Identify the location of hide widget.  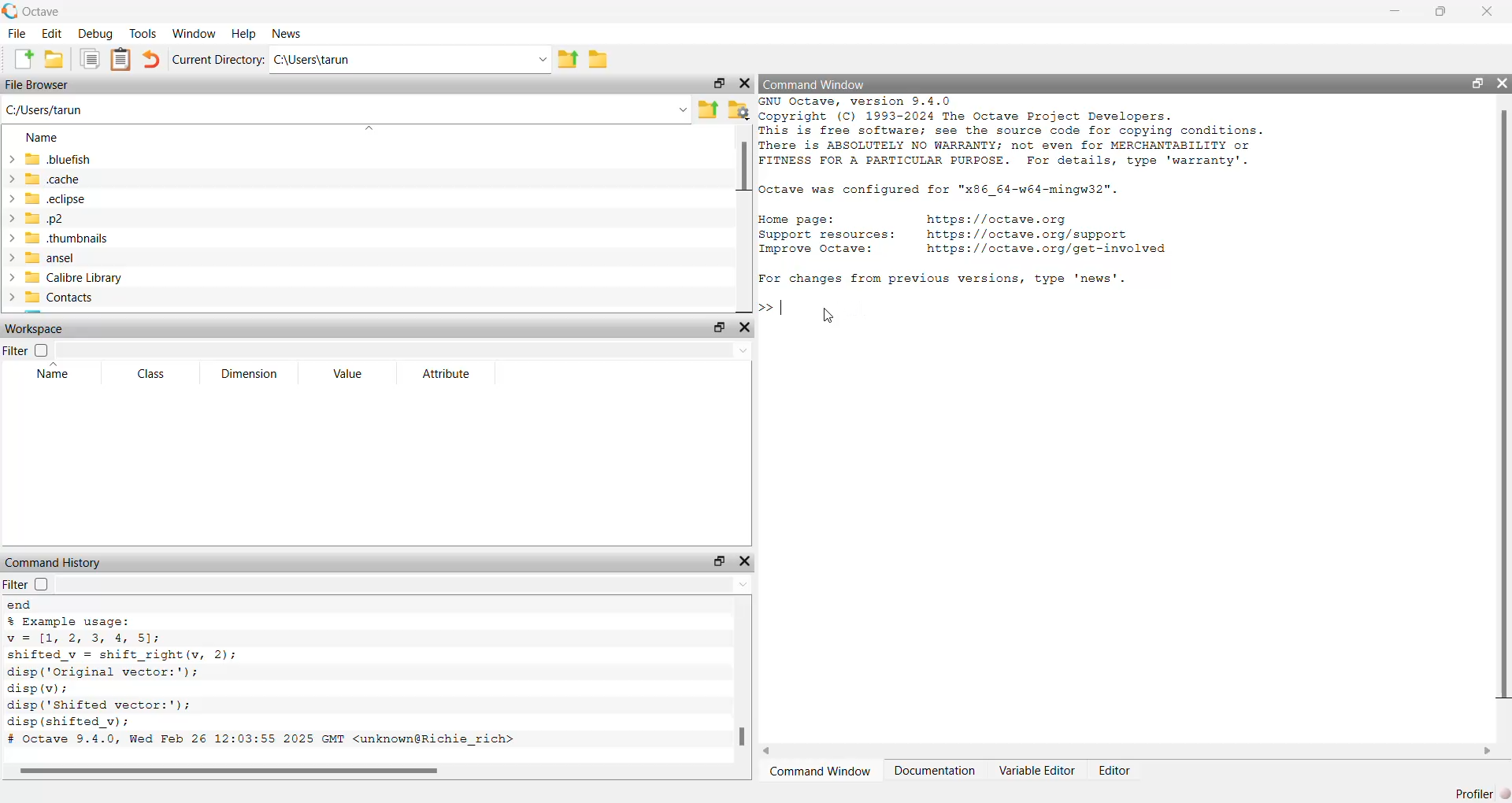
(747, 327).